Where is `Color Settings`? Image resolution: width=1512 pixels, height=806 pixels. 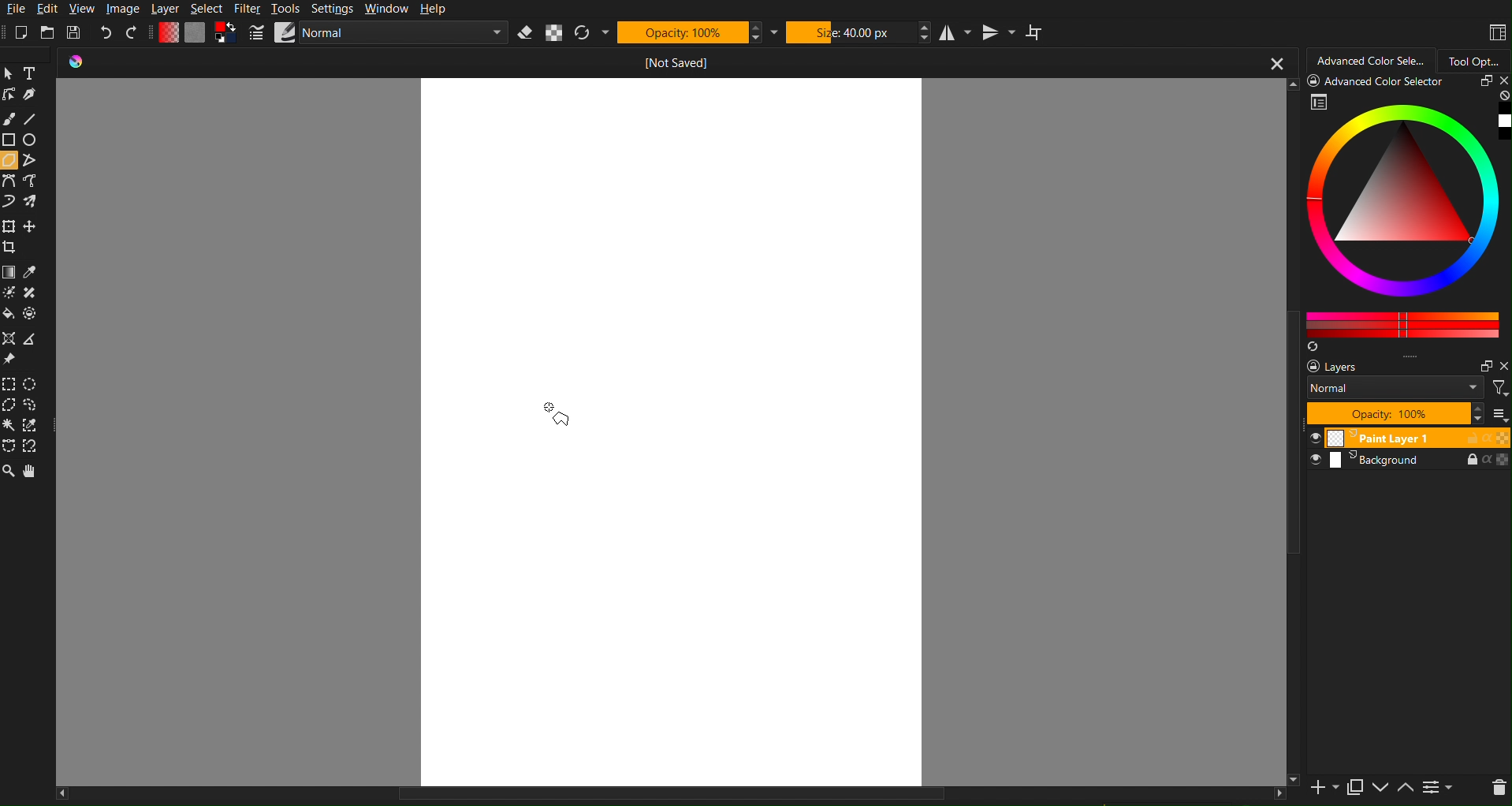
Color Settings is located at coordinates (194, 32).